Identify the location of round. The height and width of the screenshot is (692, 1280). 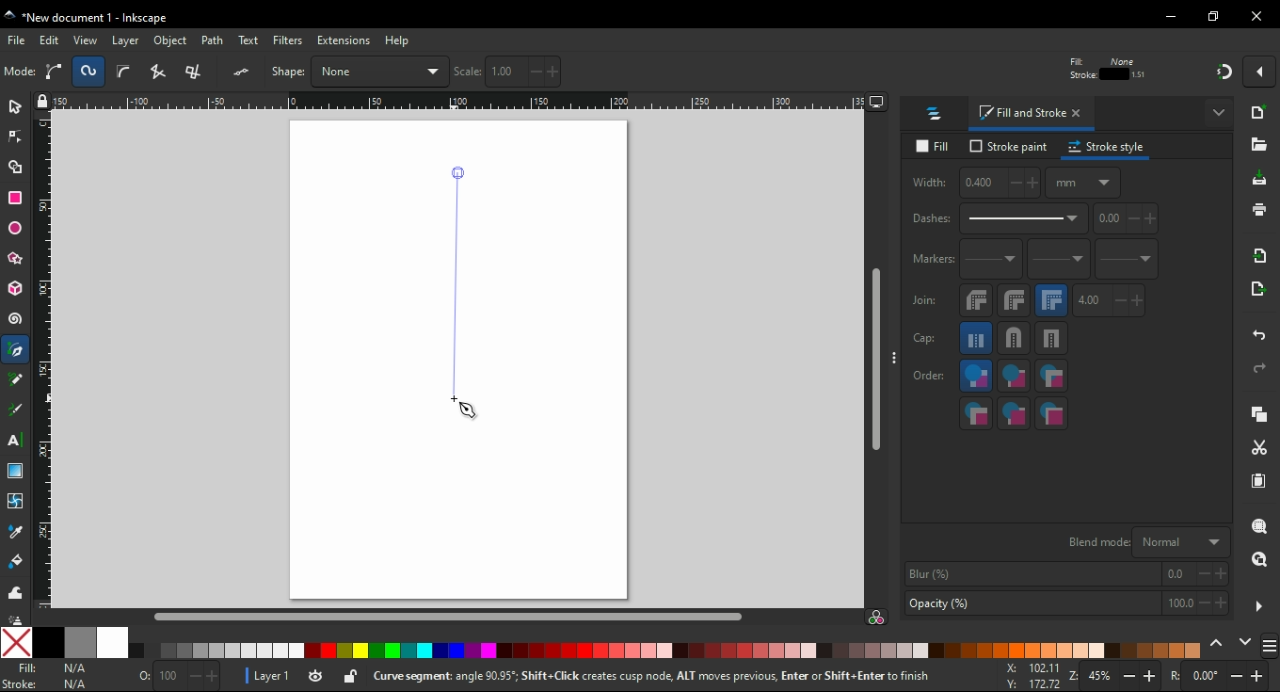
(1014, 300).